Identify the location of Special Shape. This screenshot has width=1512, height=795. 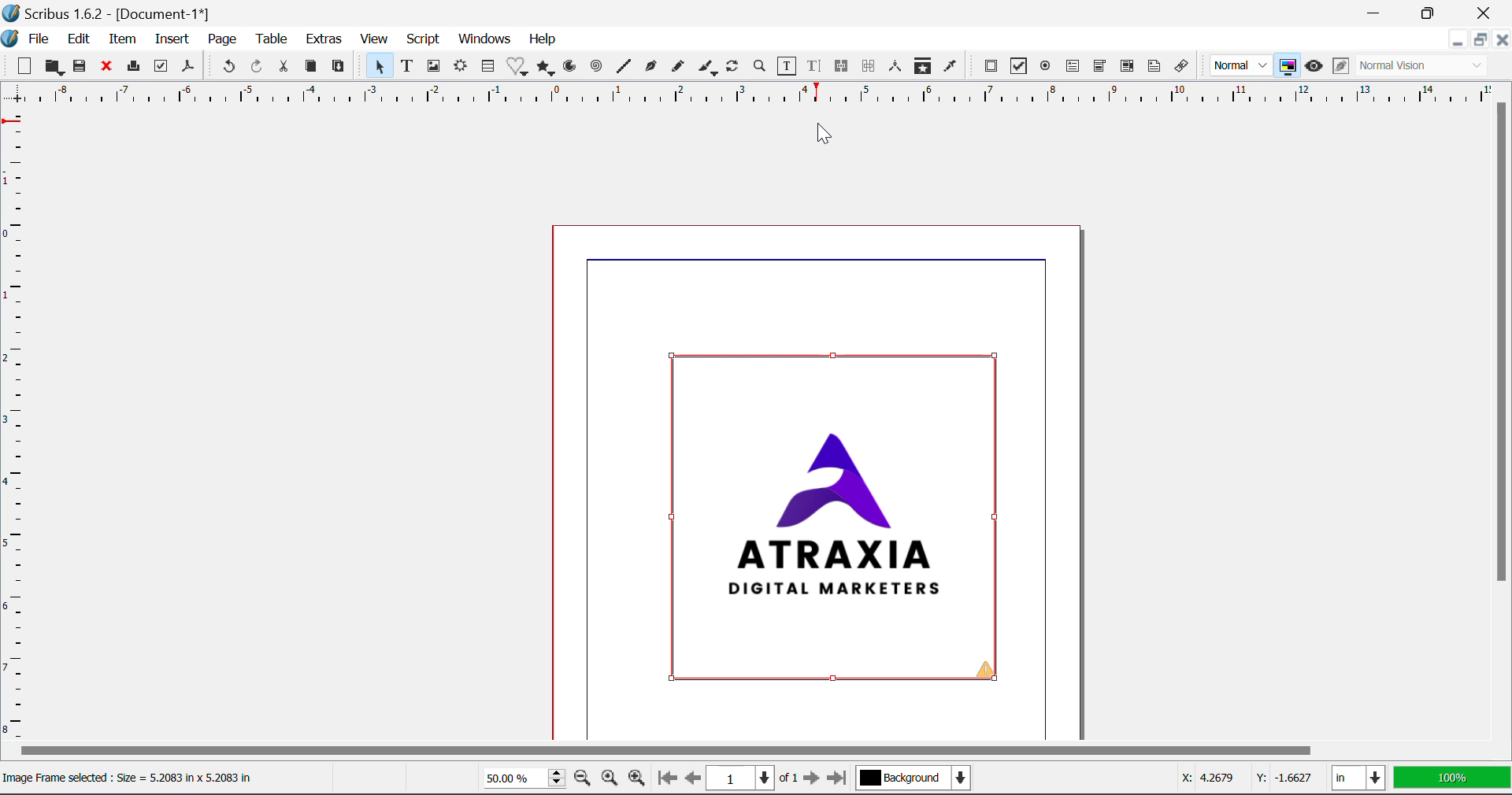
(516, 66).